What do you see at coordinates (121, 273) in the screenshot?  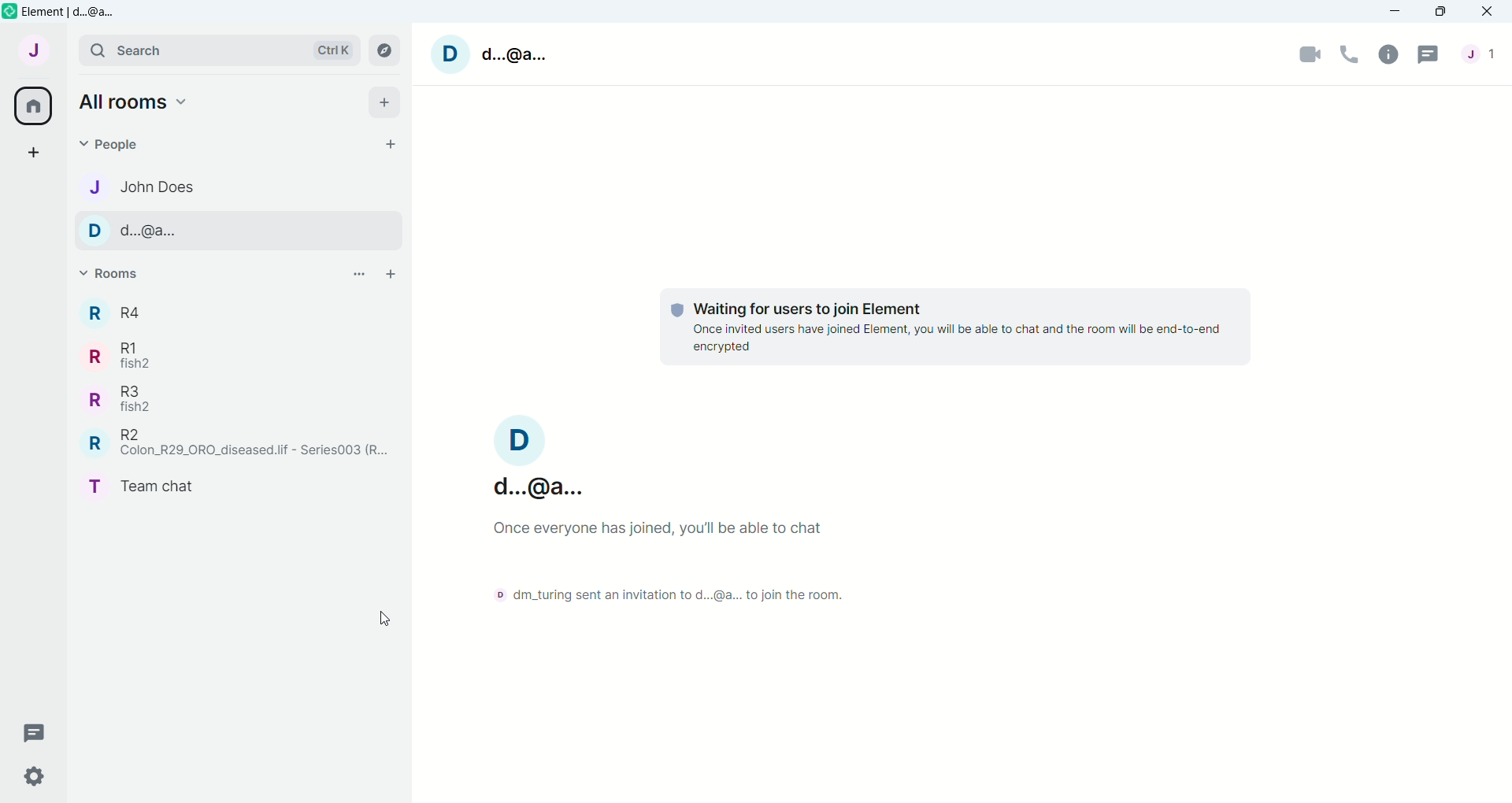 I see `Rooms` at bounding box center [121, 273].